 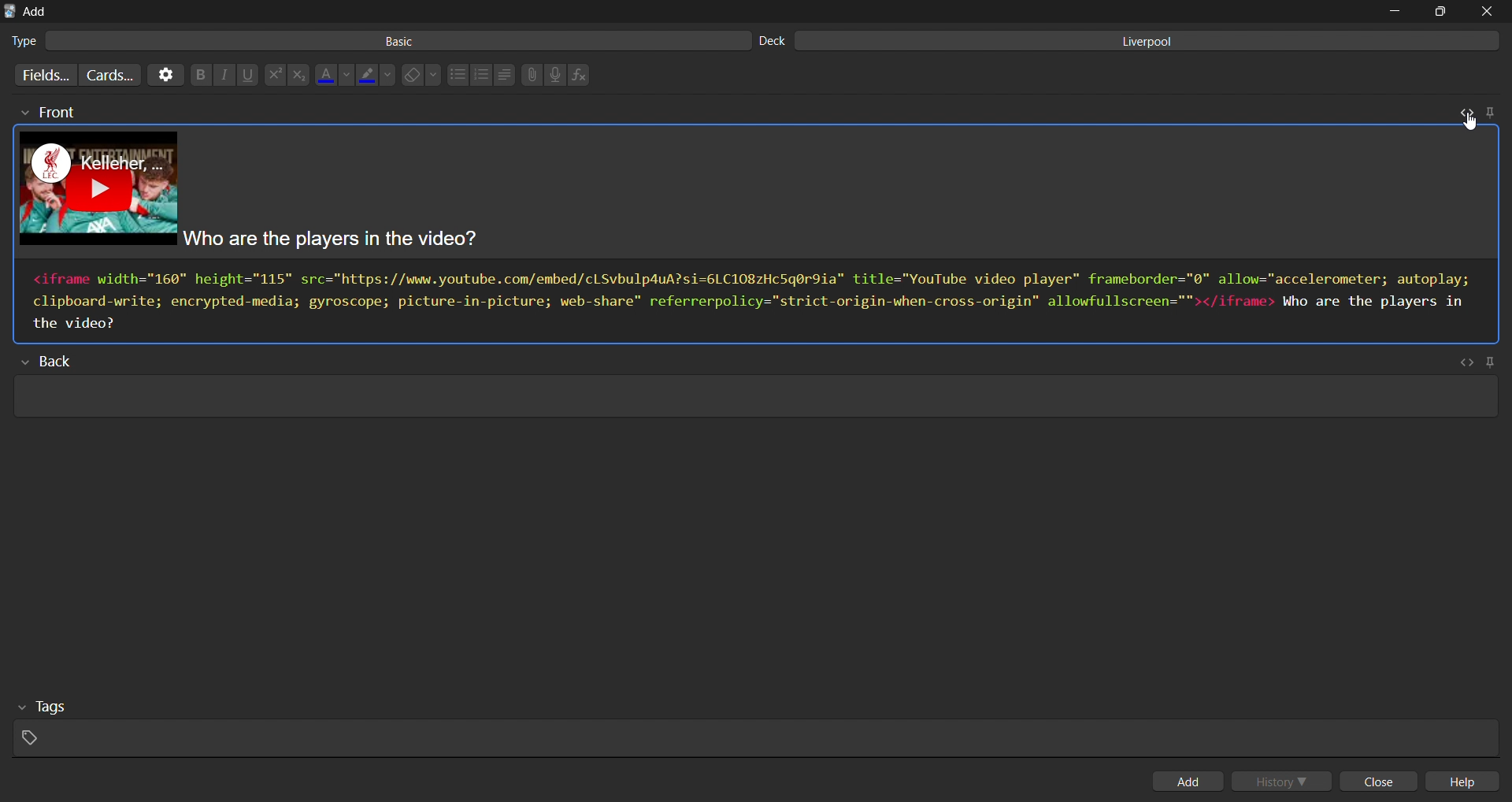 I want to click on pin, so click(x=1494, y=362).